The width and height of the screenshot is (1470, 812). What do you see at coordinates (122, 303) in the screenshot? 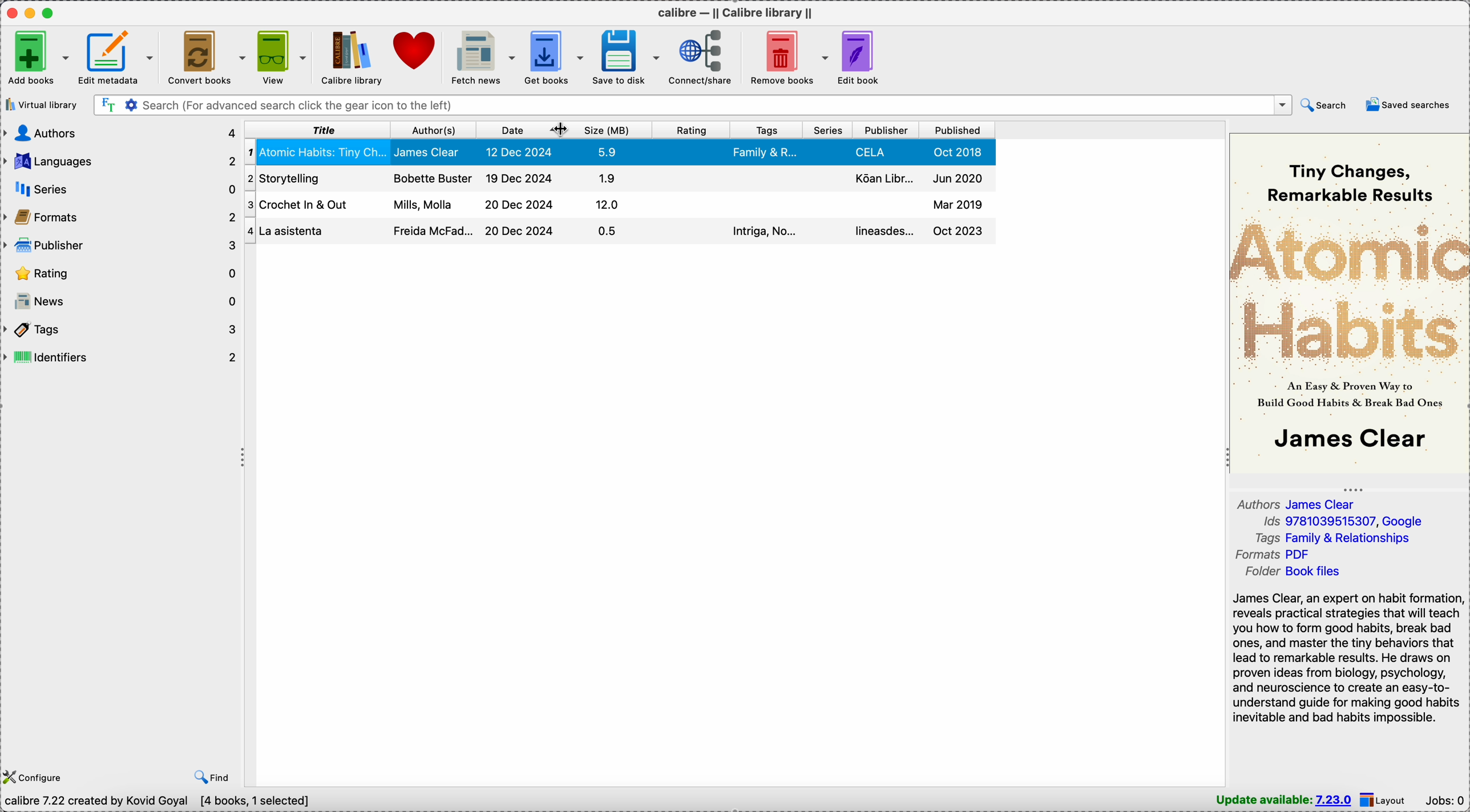
I see `news` at bounding box center [122, 303].